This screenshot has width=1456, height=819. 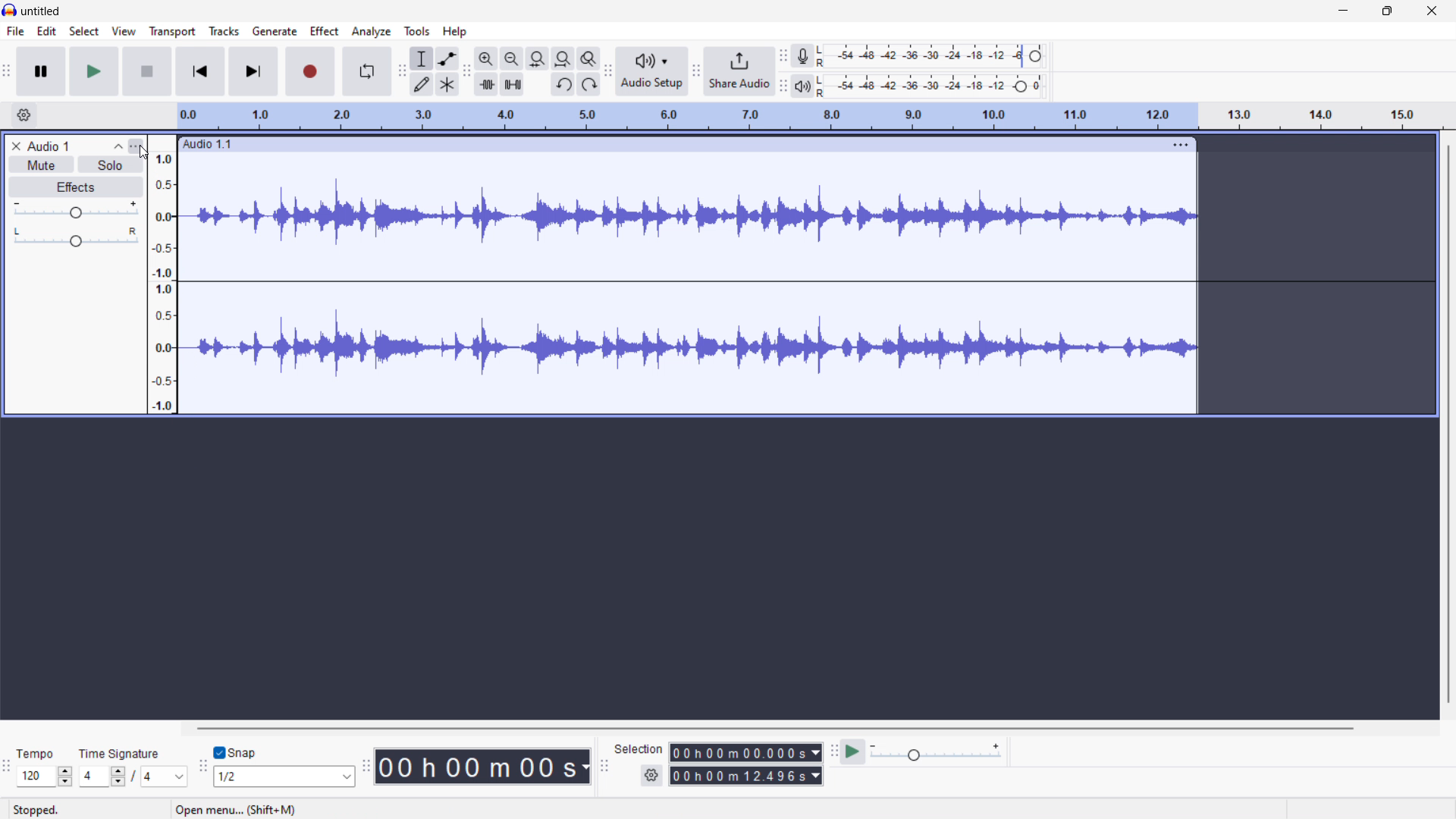 I want to click on audio setup toolbar, so click(x=608, y=71).